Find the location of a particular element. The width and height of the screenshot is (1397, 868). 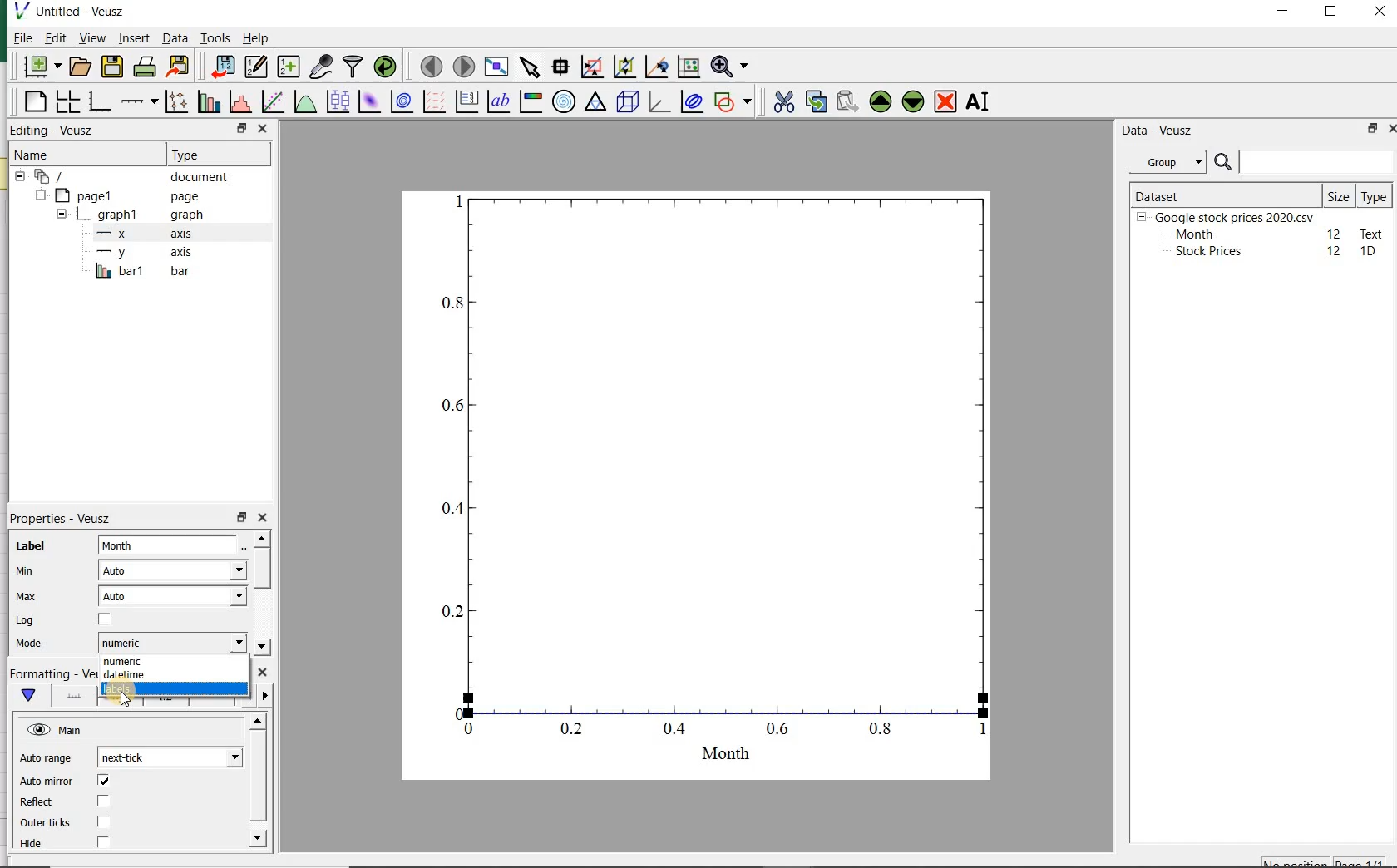

restore is located at coordinates (243, 518).